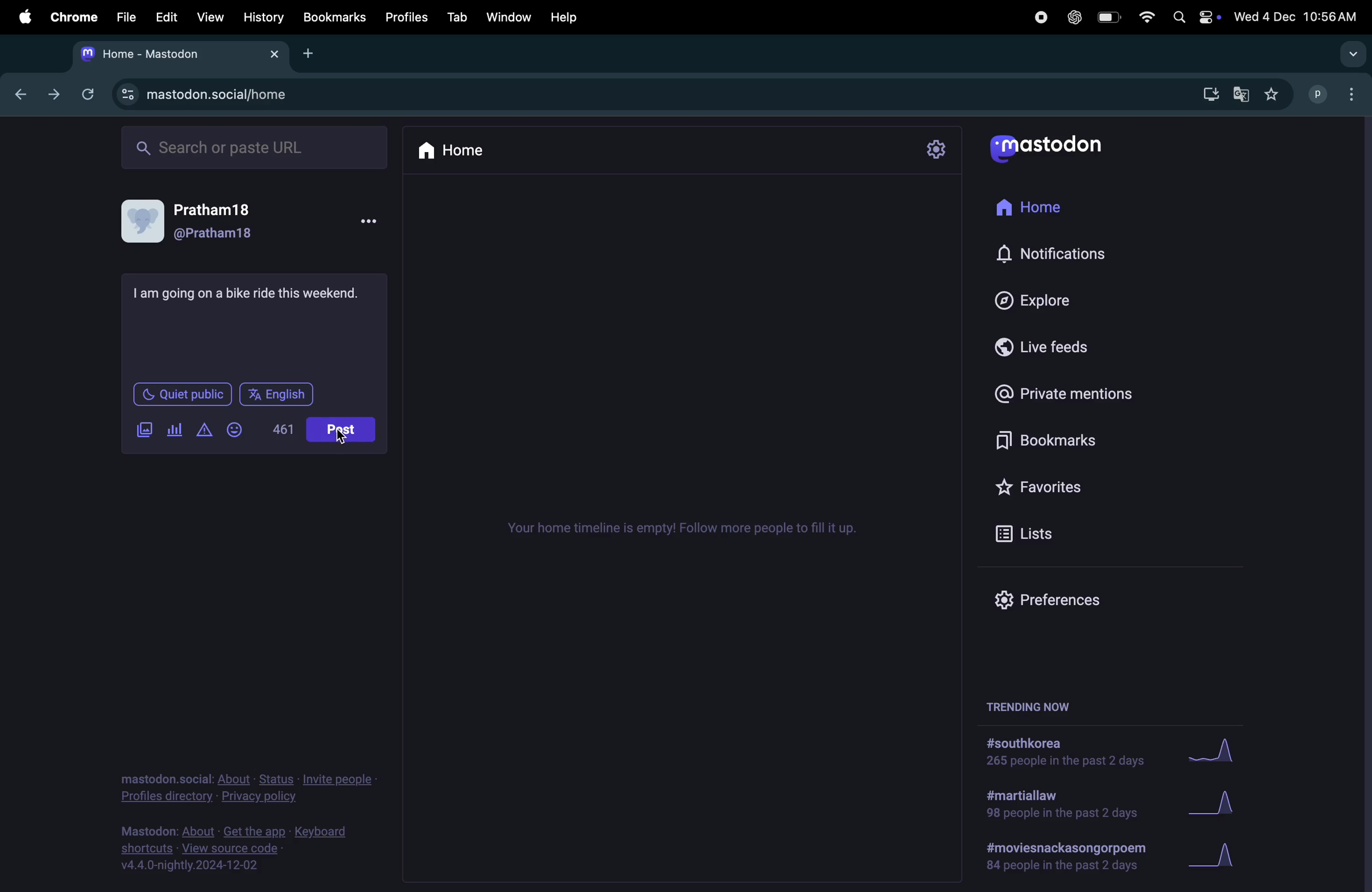 This screenshot has height=892, width=1372. What do you see at coordinates (370, 220) in the screenshot?
I see `options` at bounding box center [370, 220].